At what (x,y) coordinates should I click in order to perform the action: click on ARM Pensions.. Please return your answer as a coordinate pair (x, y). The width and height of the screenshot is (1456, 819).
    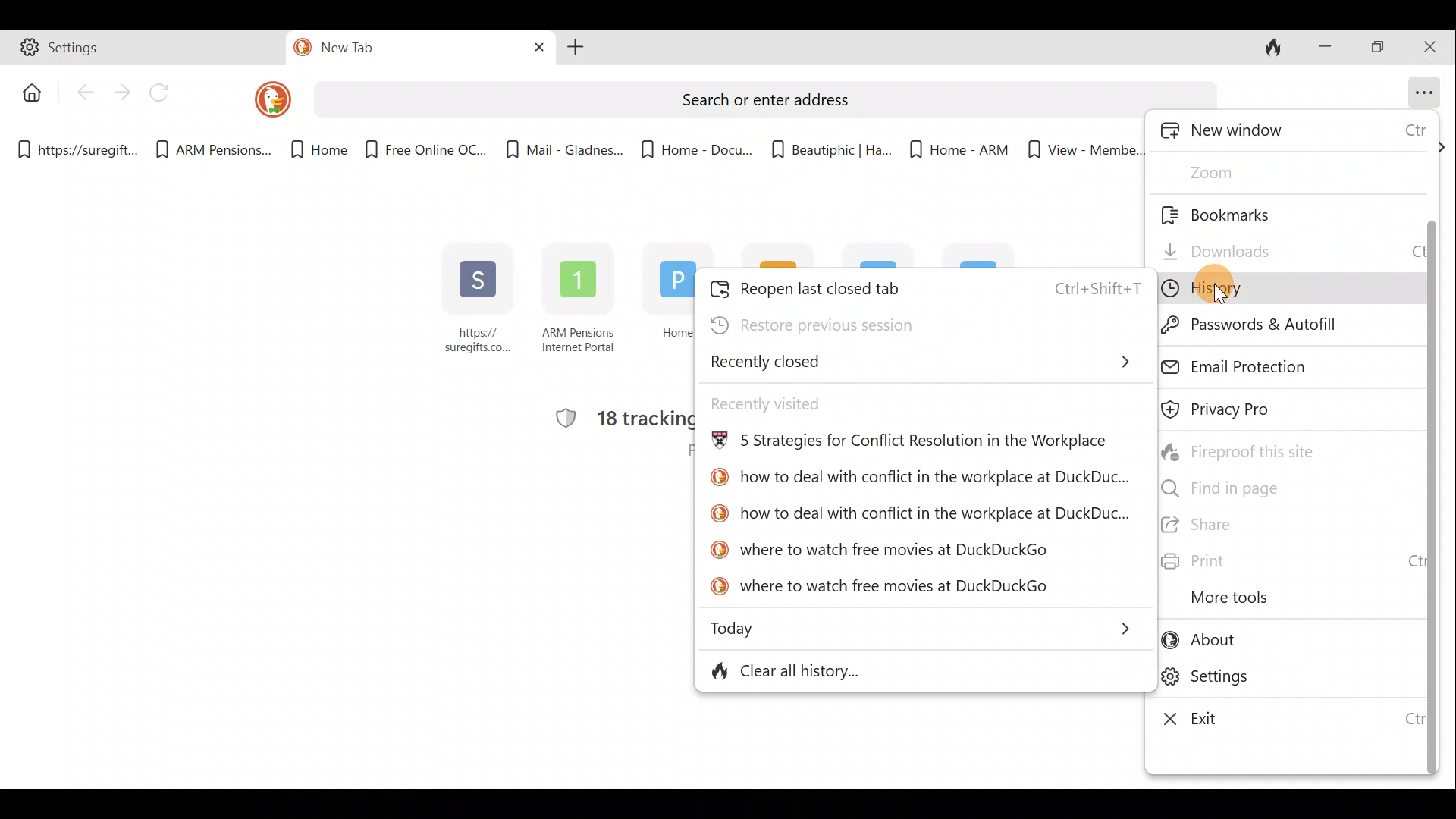
    Looking at the image, I should click on (209, 150).